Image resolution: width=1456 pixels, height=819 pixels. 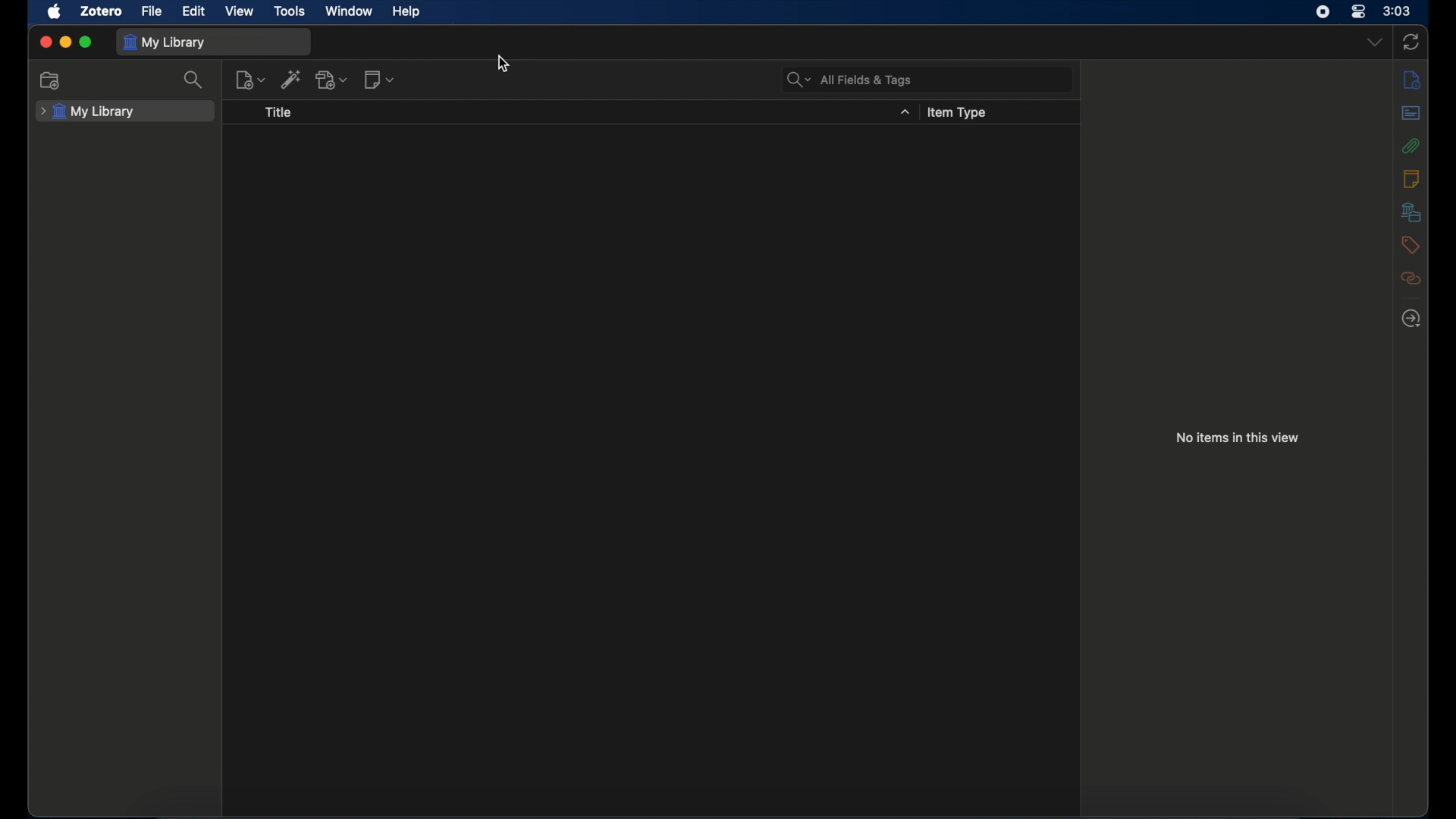 I want to click on search, so click(x=193, y=79).